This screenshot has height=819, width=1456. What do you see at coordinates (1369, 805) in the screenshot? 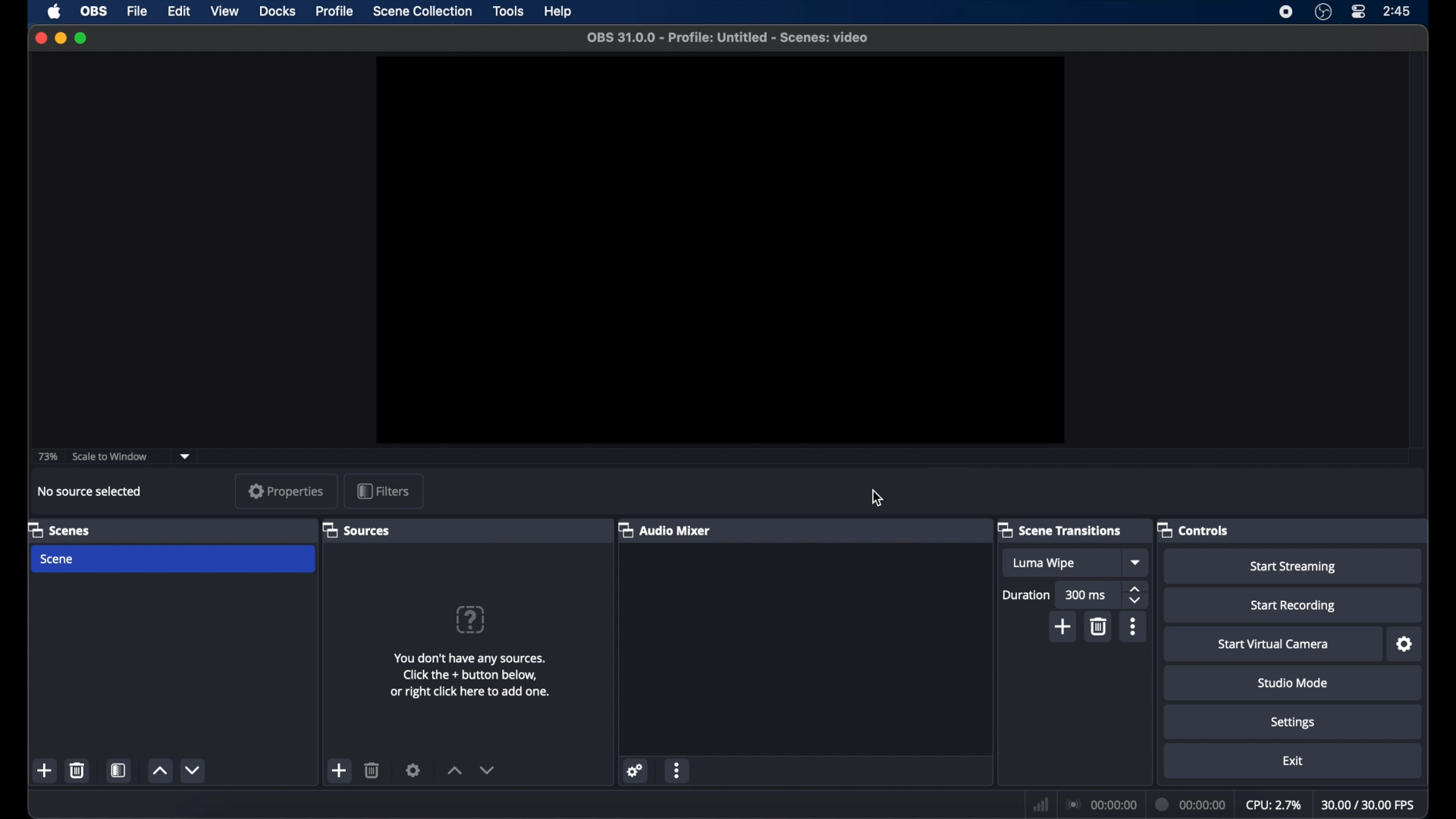
I see `fps` at bounding box center [1369, 805].